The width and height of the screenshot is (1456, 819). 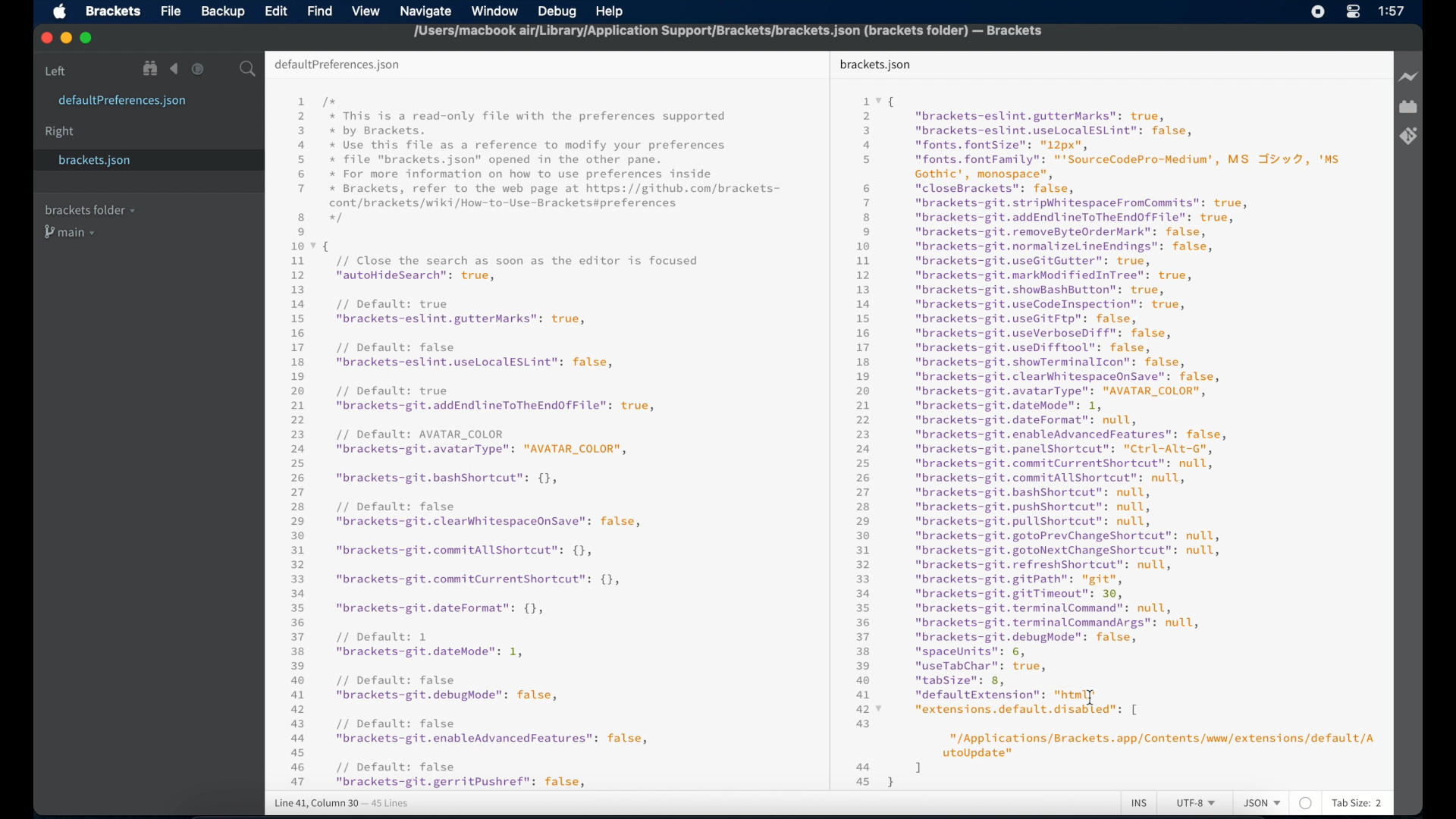 I want to click on brackets folder, so click(x=89, y=209).